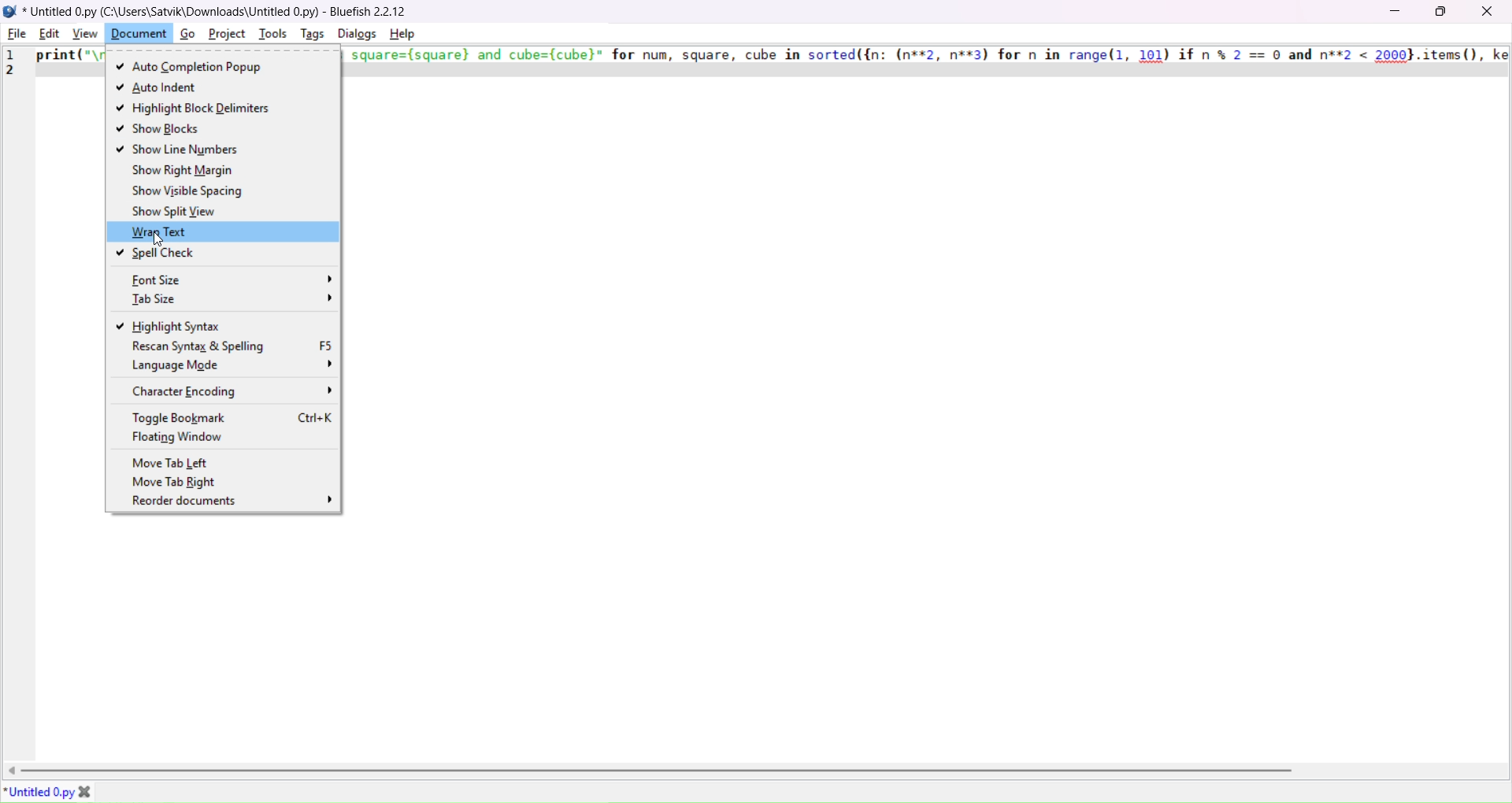  I want to click on move tab left, so click(175, 463).